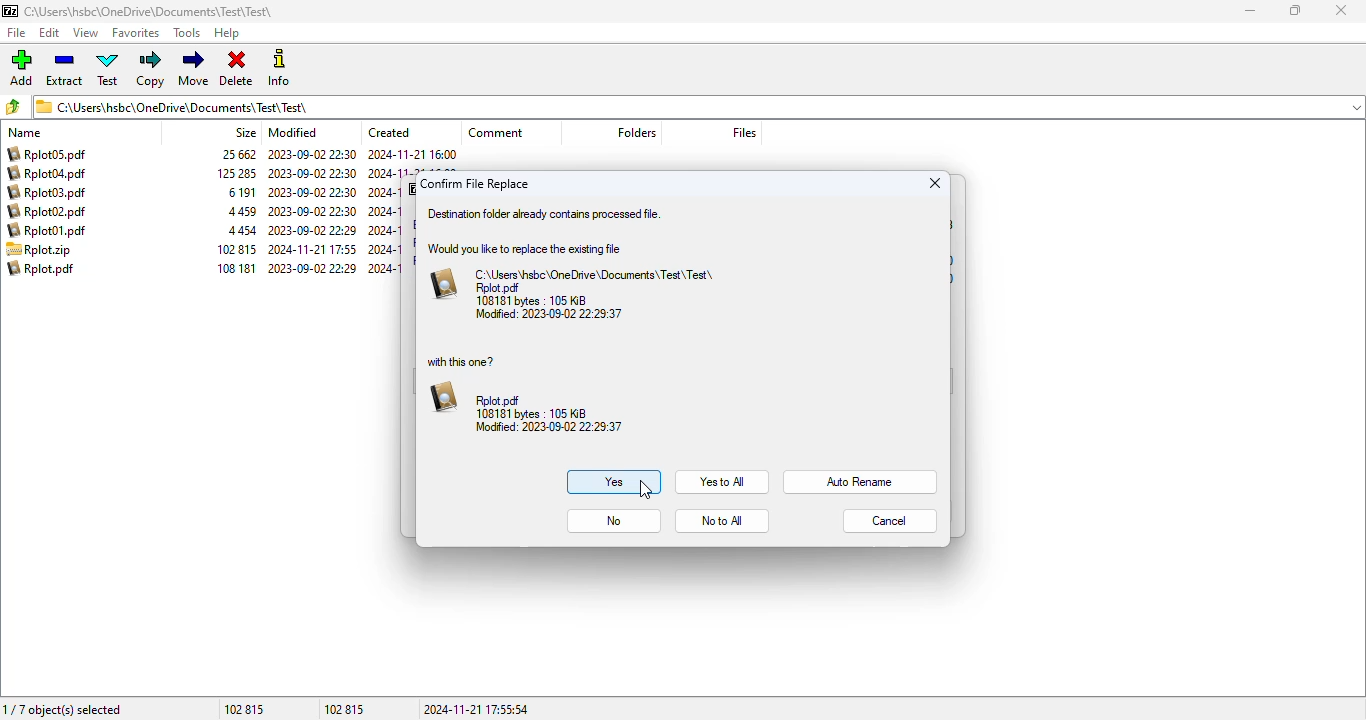 The image size is (1366, 720). I want to click on 25 662, so click(241, 155).